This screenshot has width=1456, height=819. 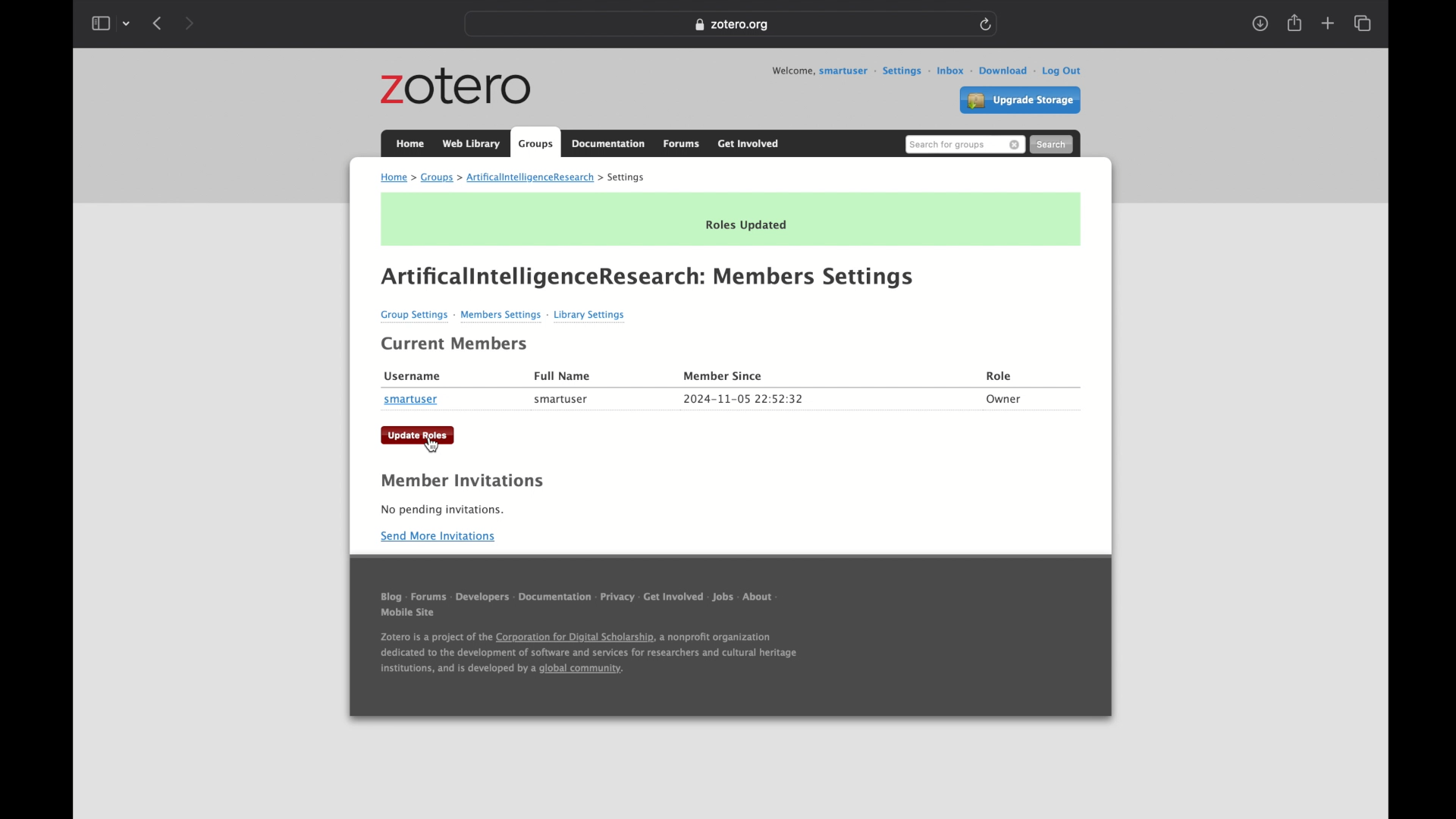 I want to click on ArtificalintelligenceResearch: Members Settings, so click(x=680, y=278).